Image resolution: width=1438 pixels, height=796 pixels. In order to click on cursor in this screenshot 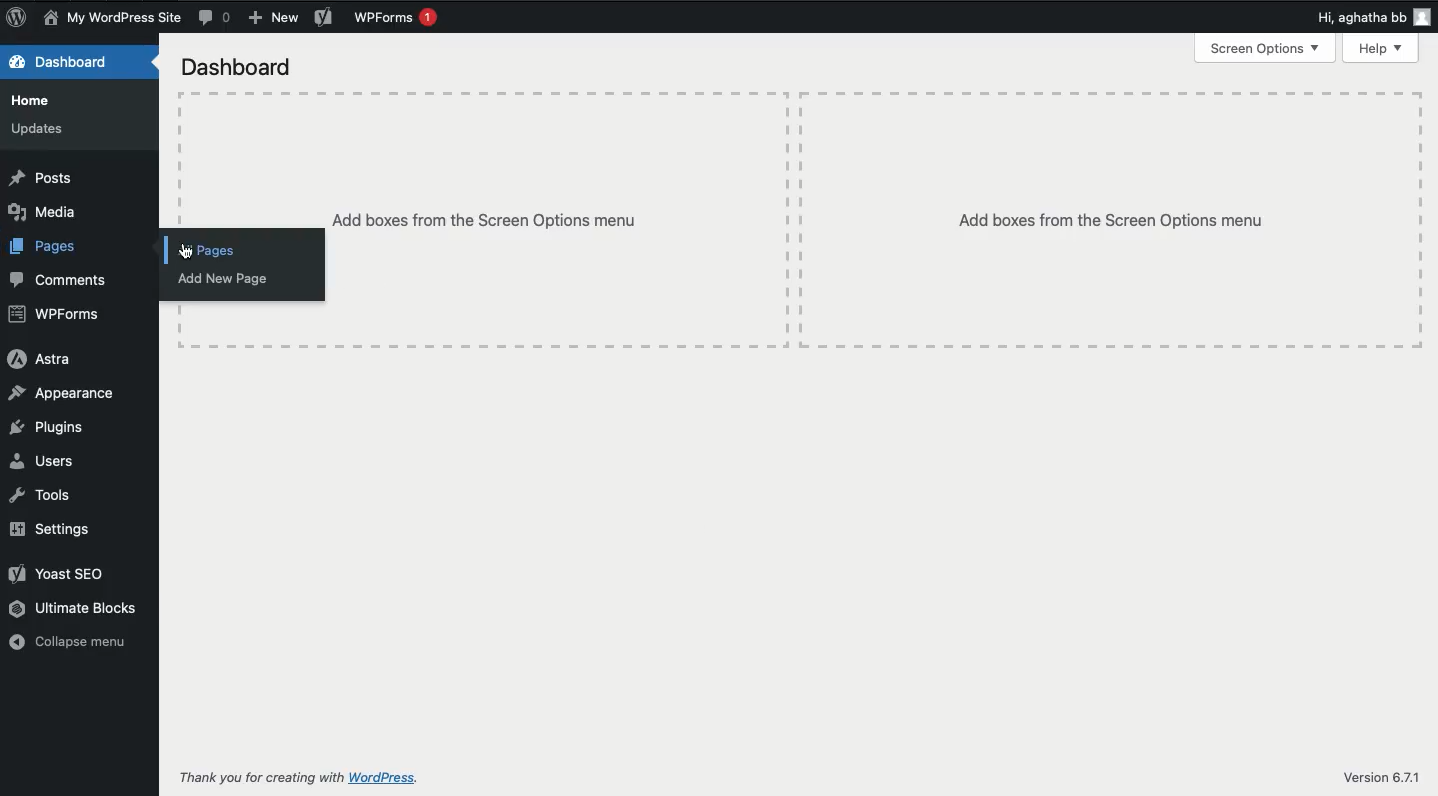, I will do `click(188, 251)`.